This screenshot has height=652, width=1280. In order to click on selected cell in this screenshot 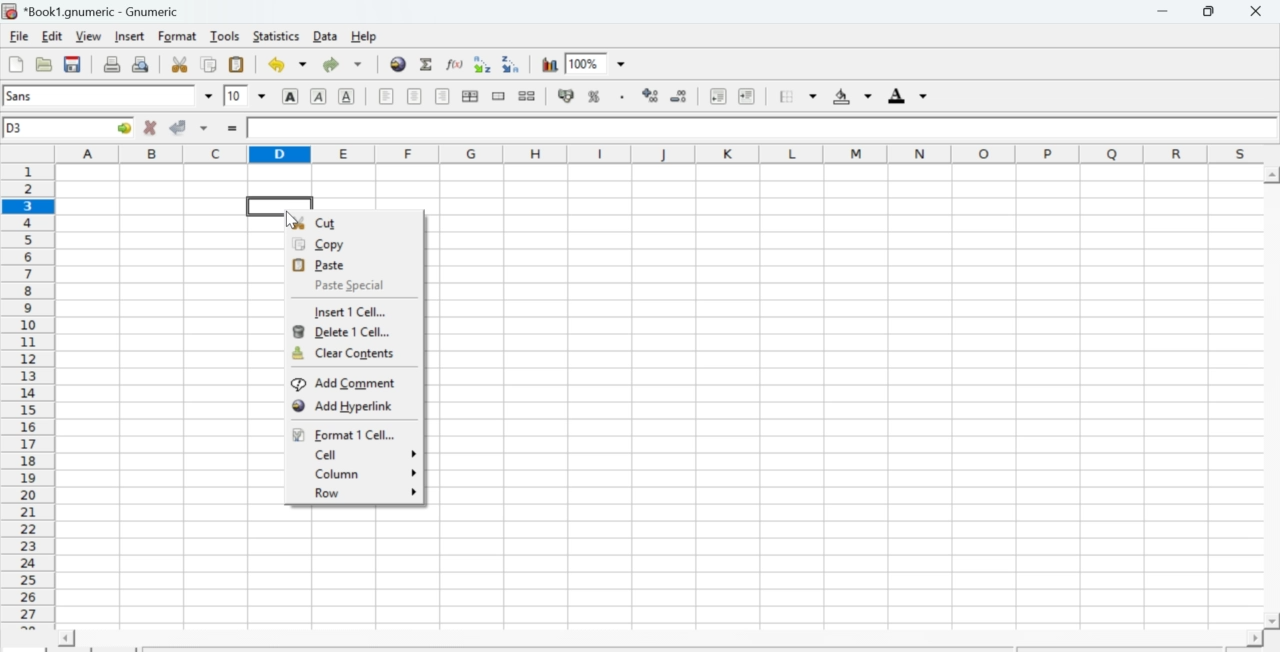, I will do `click(279, 205)`.